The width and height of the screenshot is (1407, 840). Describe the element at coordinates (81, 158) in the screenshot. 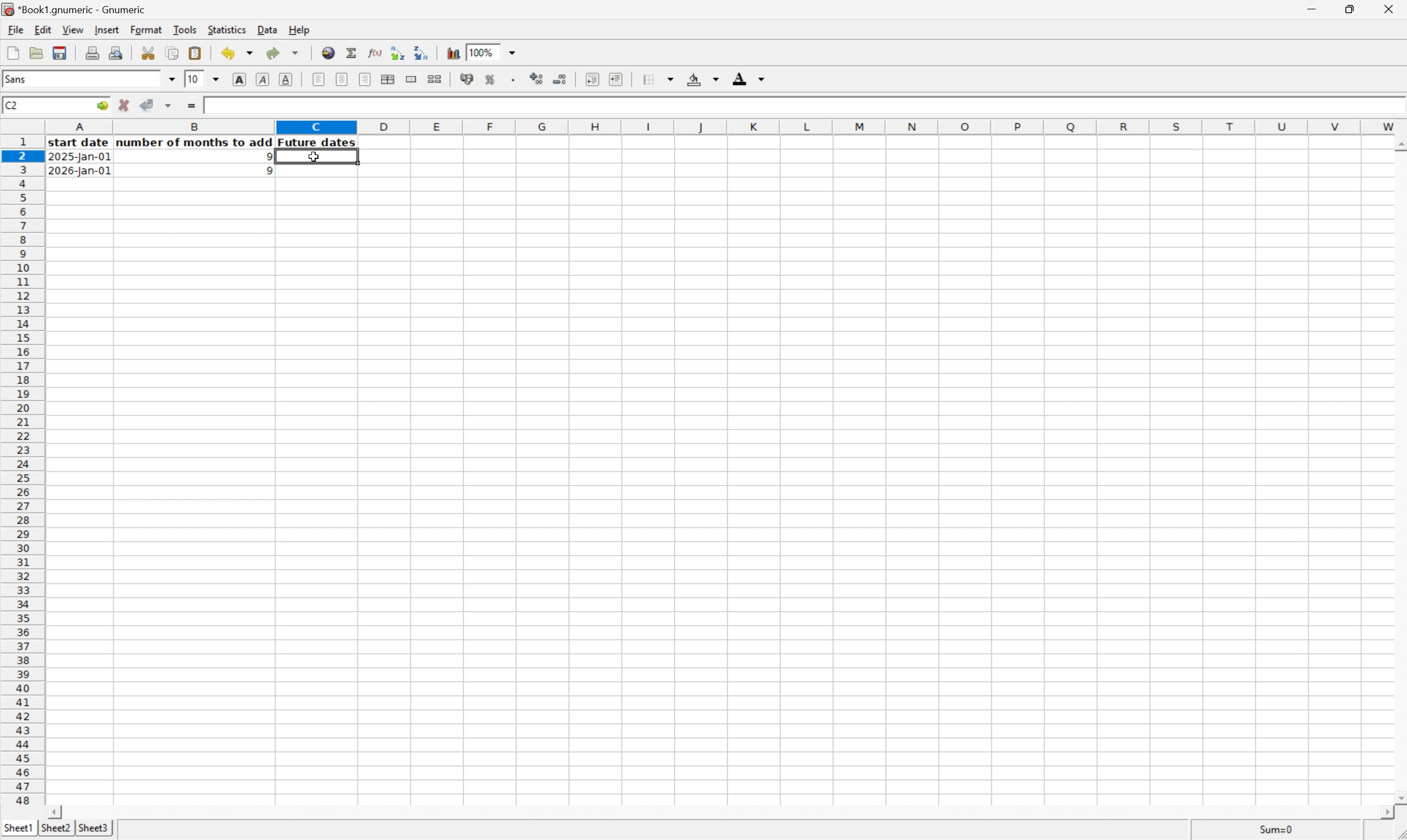

I see `2025-jan-01` at that location.